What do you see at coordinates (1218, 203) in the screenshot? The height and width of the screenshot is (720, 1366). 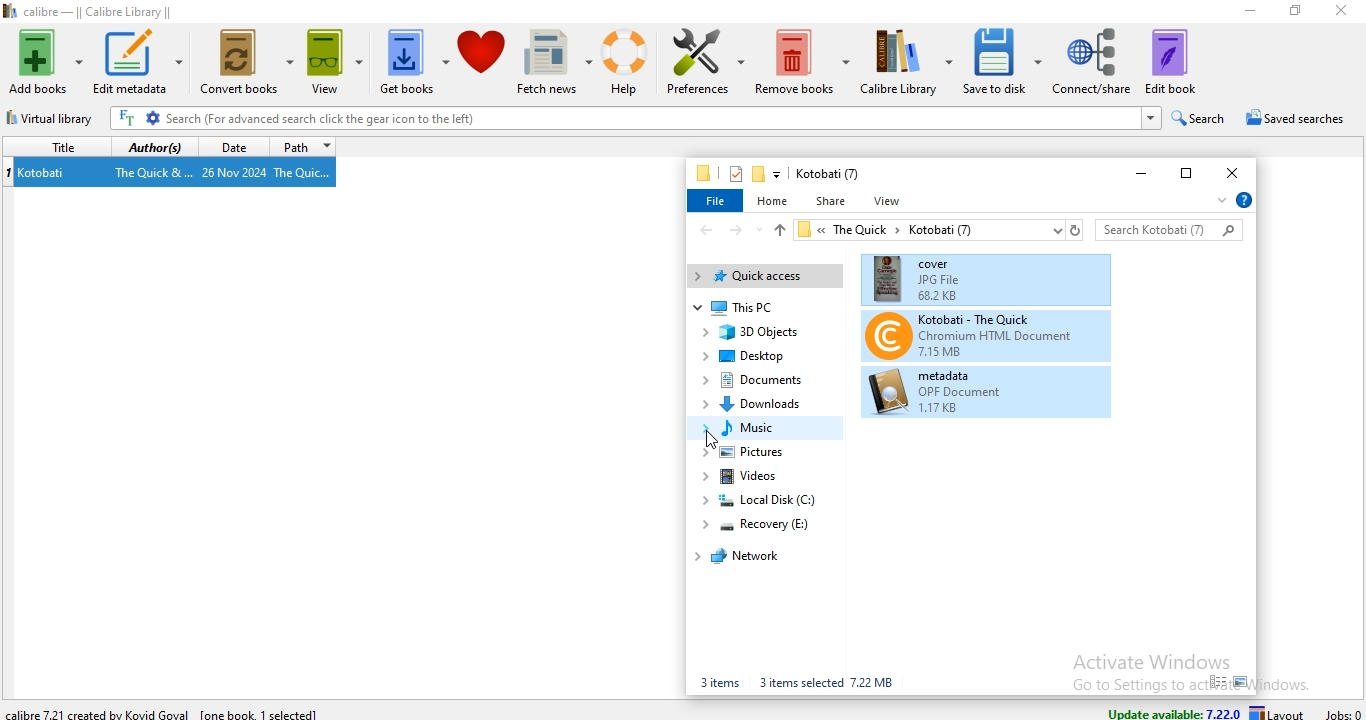 I see `expand` at bounding box center [1218, 203].